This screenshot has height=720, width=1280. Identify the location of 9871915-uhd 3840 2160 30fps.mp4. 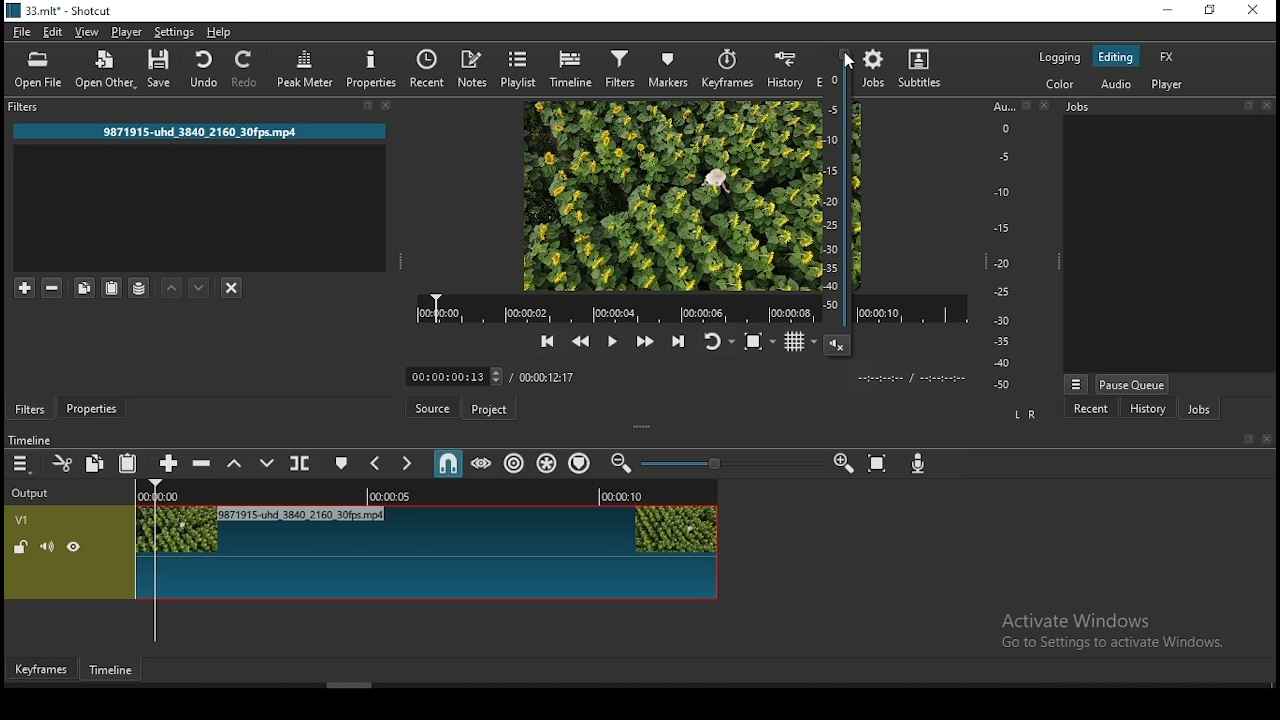
(195, 131).